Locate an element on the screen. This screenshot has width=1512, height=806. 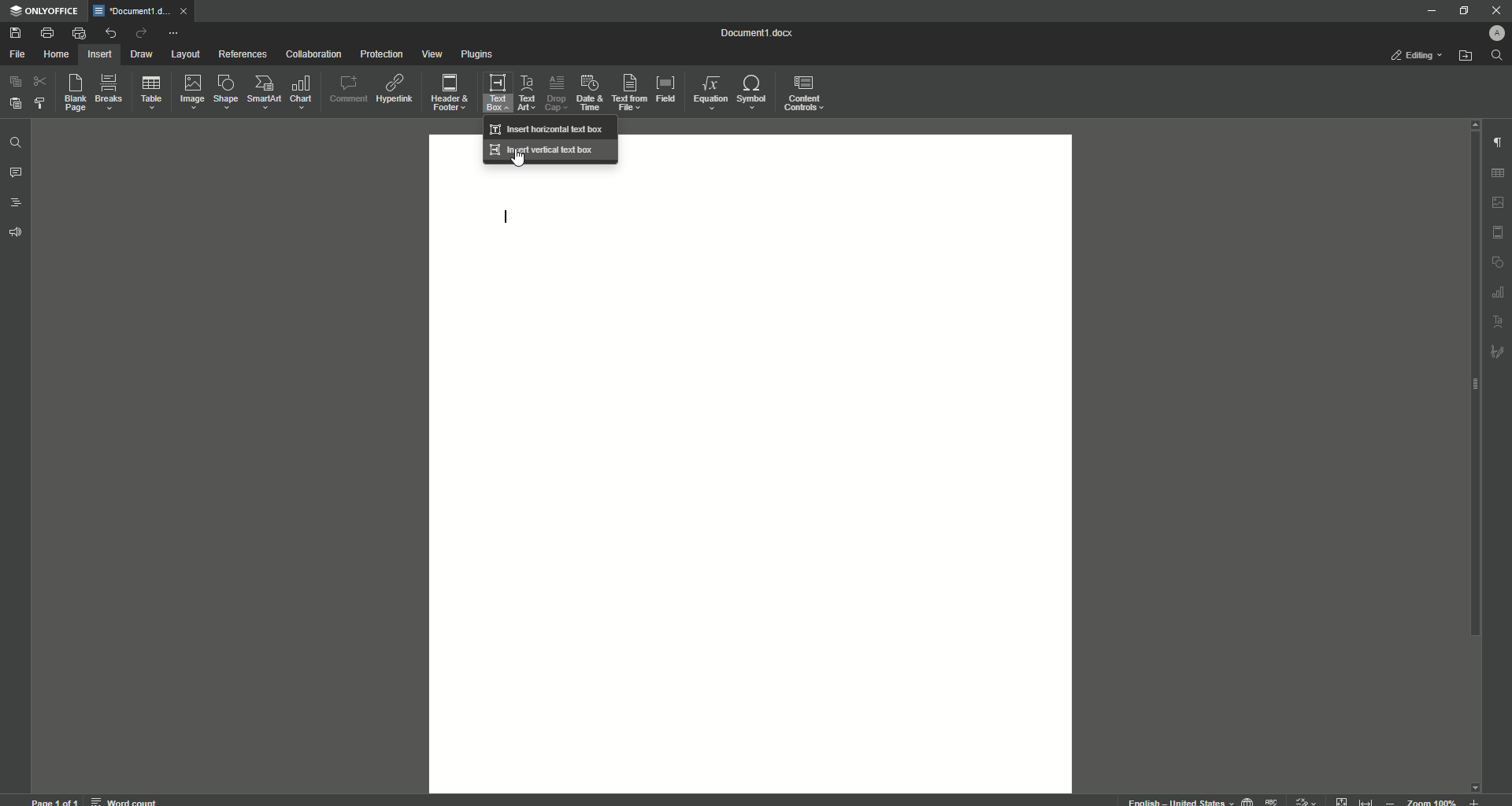
Feedback is located at coordinates (17, 233).